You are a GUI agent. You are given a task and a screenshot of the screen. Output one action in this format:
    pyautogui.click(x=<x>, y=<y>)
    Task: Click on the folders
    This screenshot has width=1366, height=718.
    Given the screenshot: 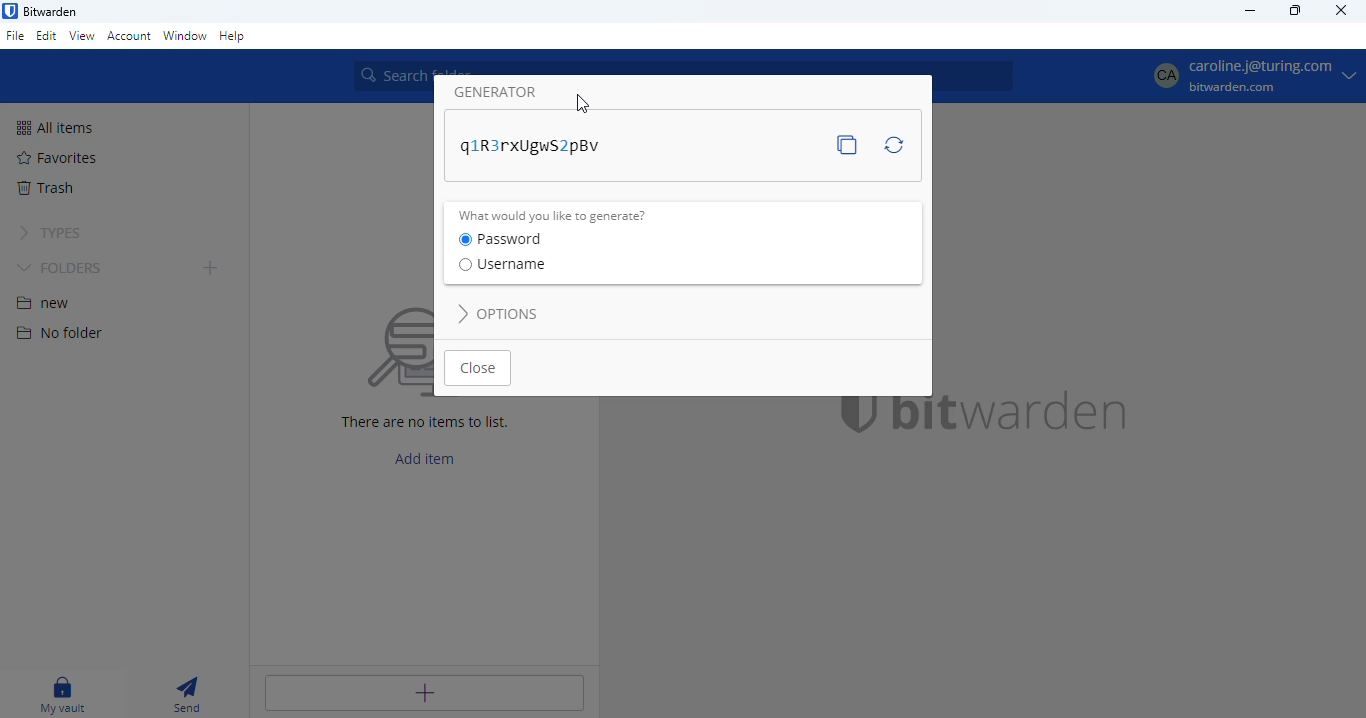 What is the action you would take?
    pyautogui.click(x=60, y=268)
    